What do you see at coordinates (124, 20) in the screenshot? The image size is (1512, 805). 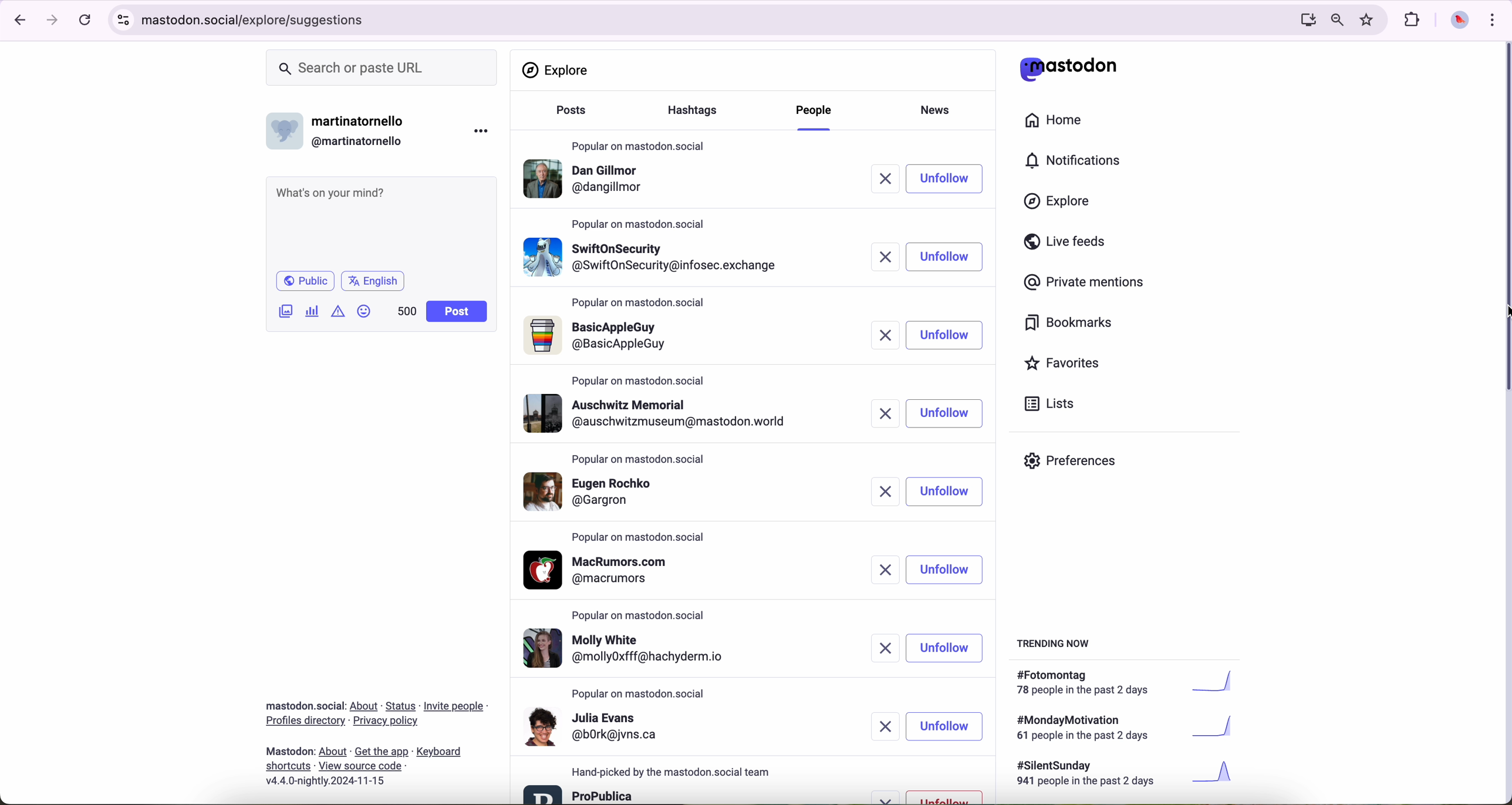 I see `controls` at bounding box center [124, 20].